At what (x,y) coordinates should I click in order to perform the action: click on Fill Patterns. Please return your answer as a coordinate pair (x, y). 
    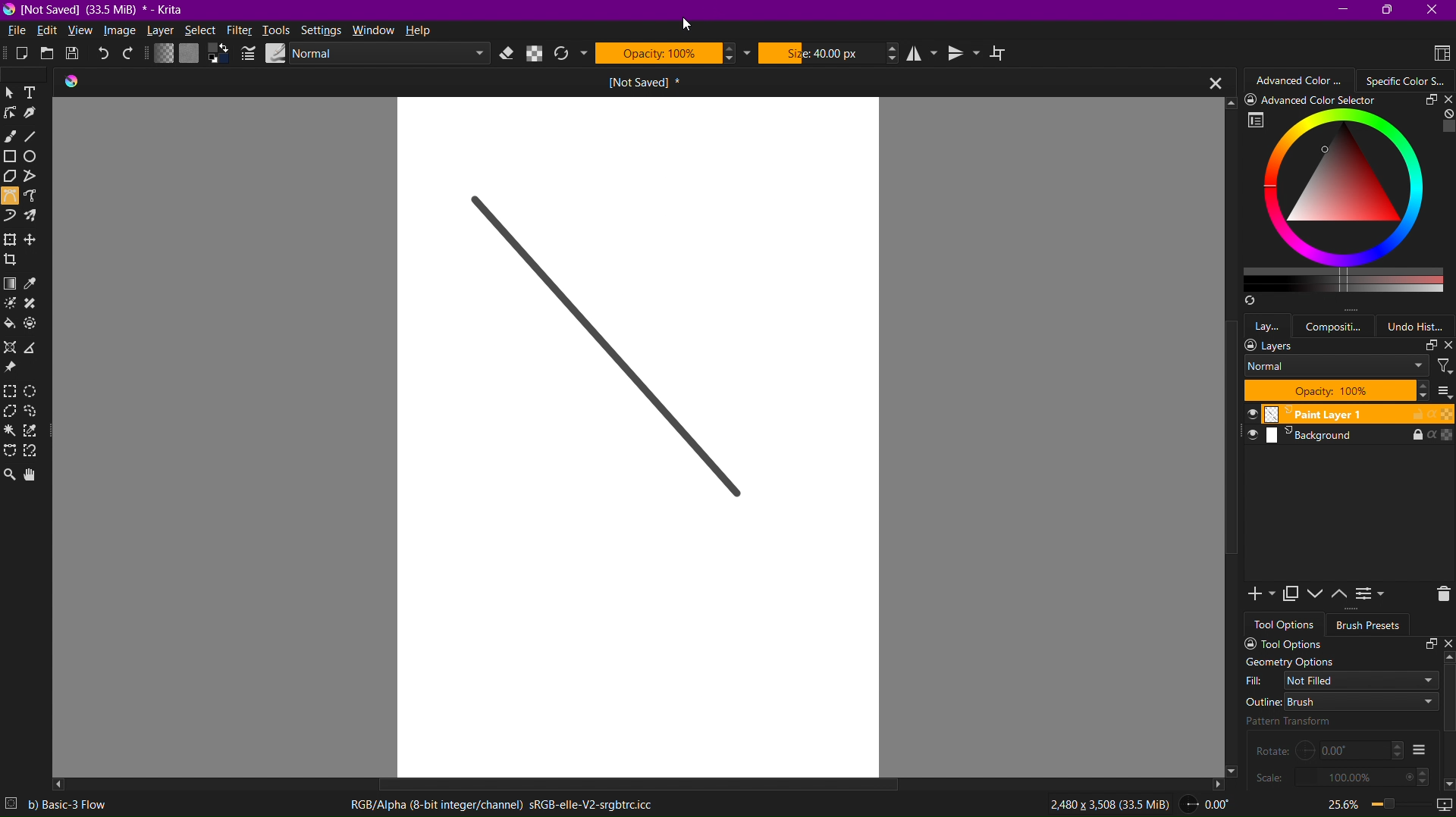
    Looking at the image, I should click on (189, 55).